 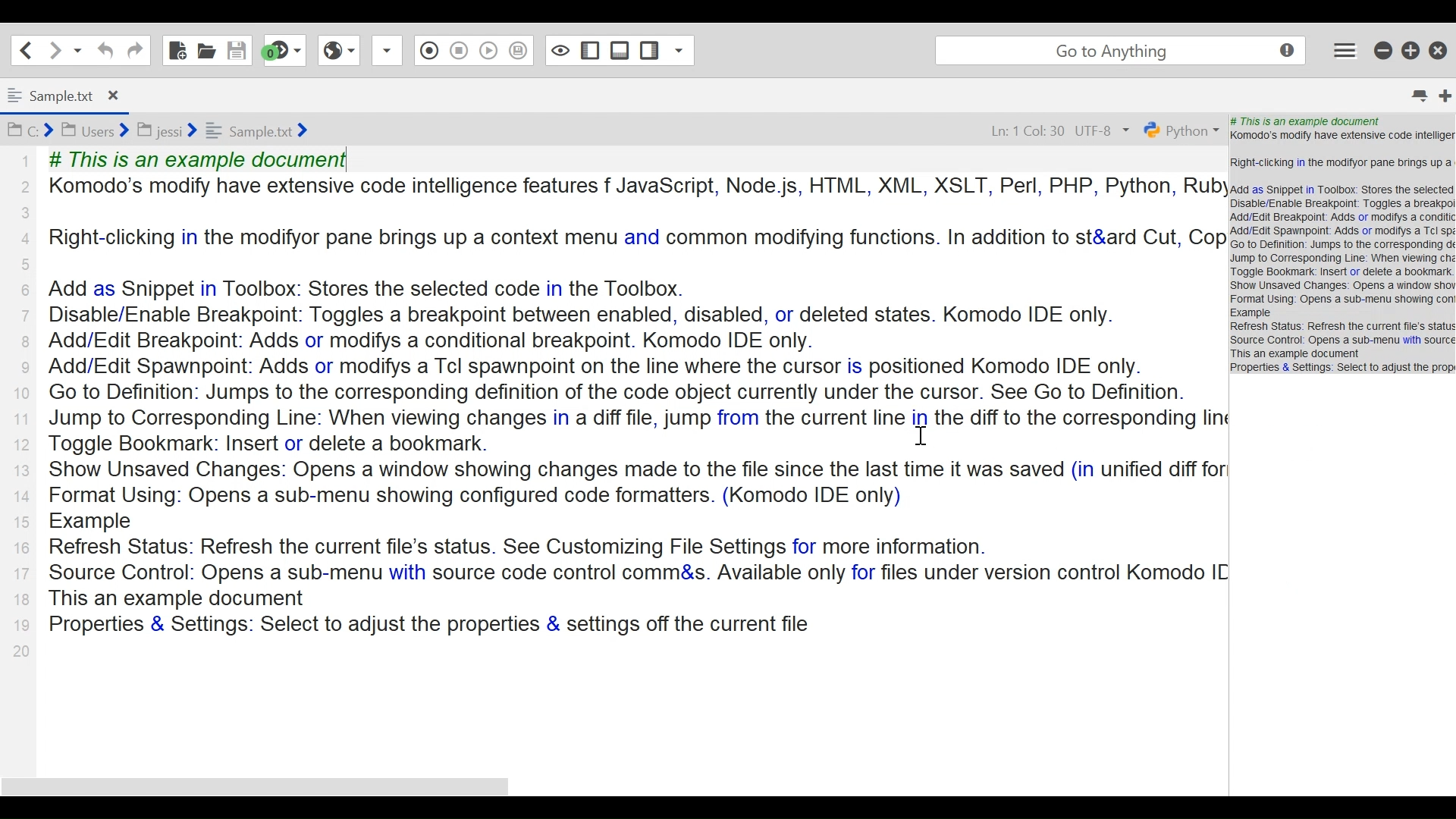 I want to click on python, so click(x=1181, y=132).